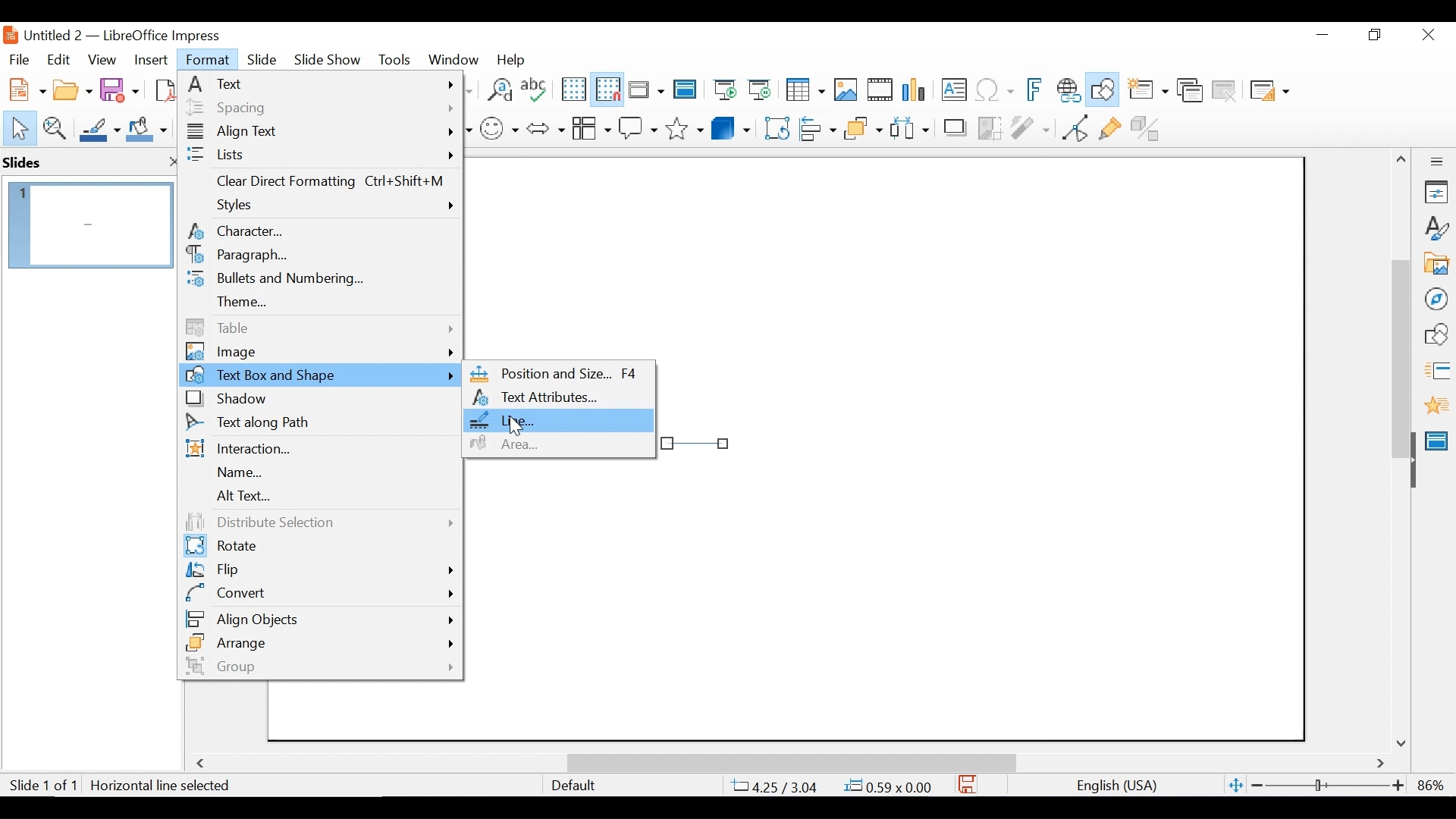 This screenshot has width=1456, height=819. What do you see at coordinates (1147, 91) in the screenshot?
I see `New slide` at bounding box center [1147, 91].